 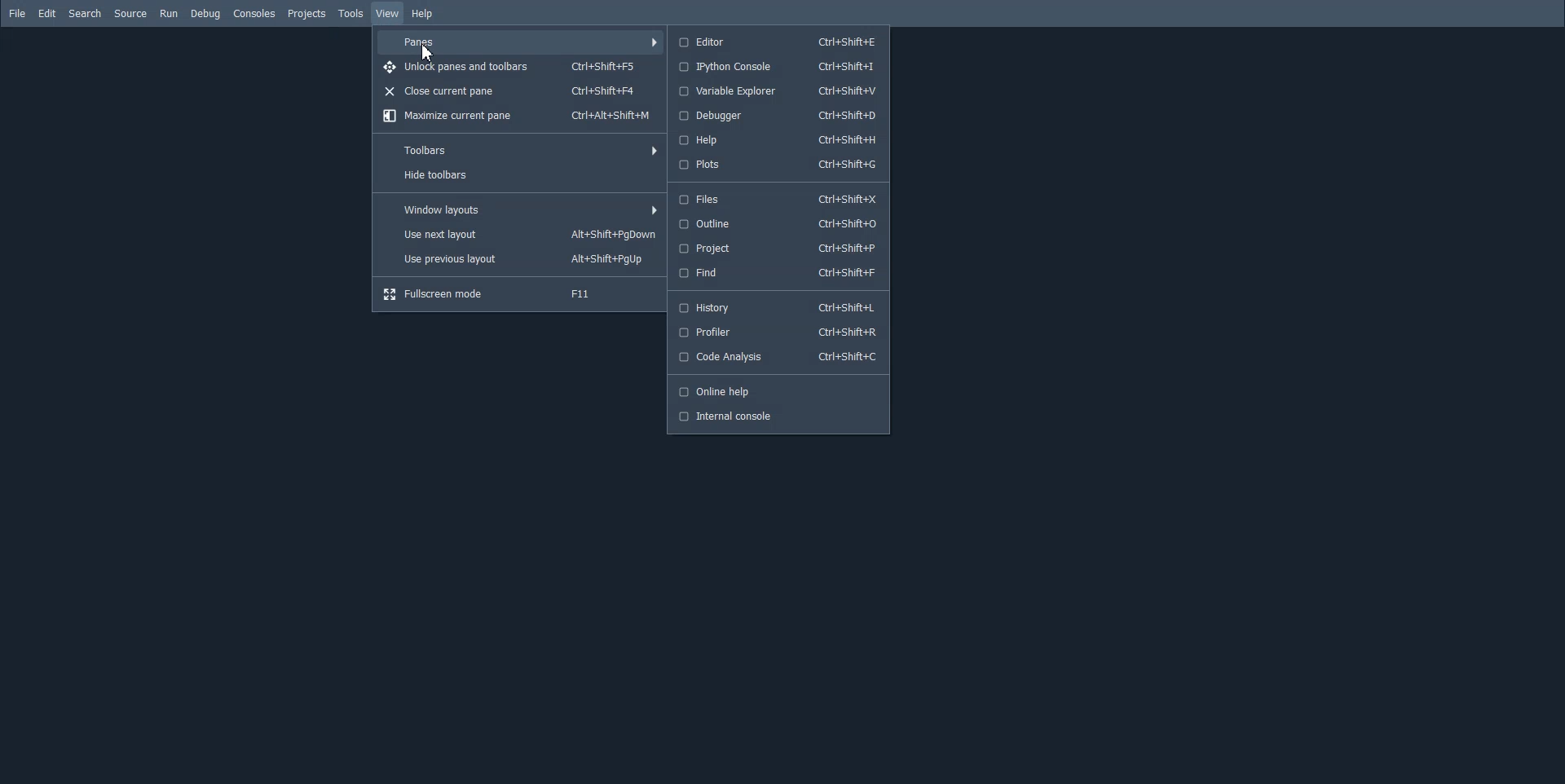 I want to click on Plots, so click(x=778, y=165).